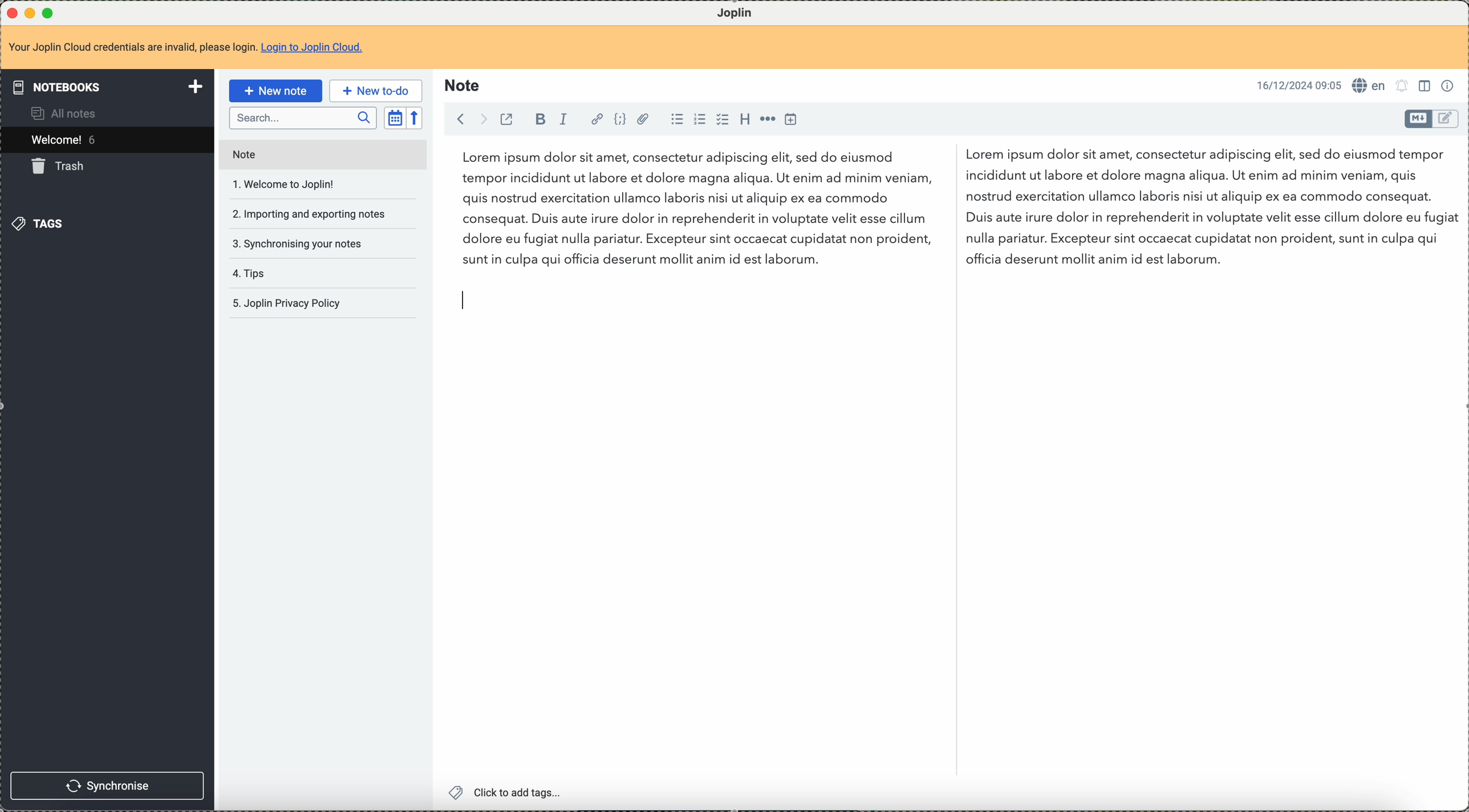 The image size is (1469, 812). What do you see at coordinates (255, 275) in the screenshot?
I see `tips` at bounding box center [255, 275].